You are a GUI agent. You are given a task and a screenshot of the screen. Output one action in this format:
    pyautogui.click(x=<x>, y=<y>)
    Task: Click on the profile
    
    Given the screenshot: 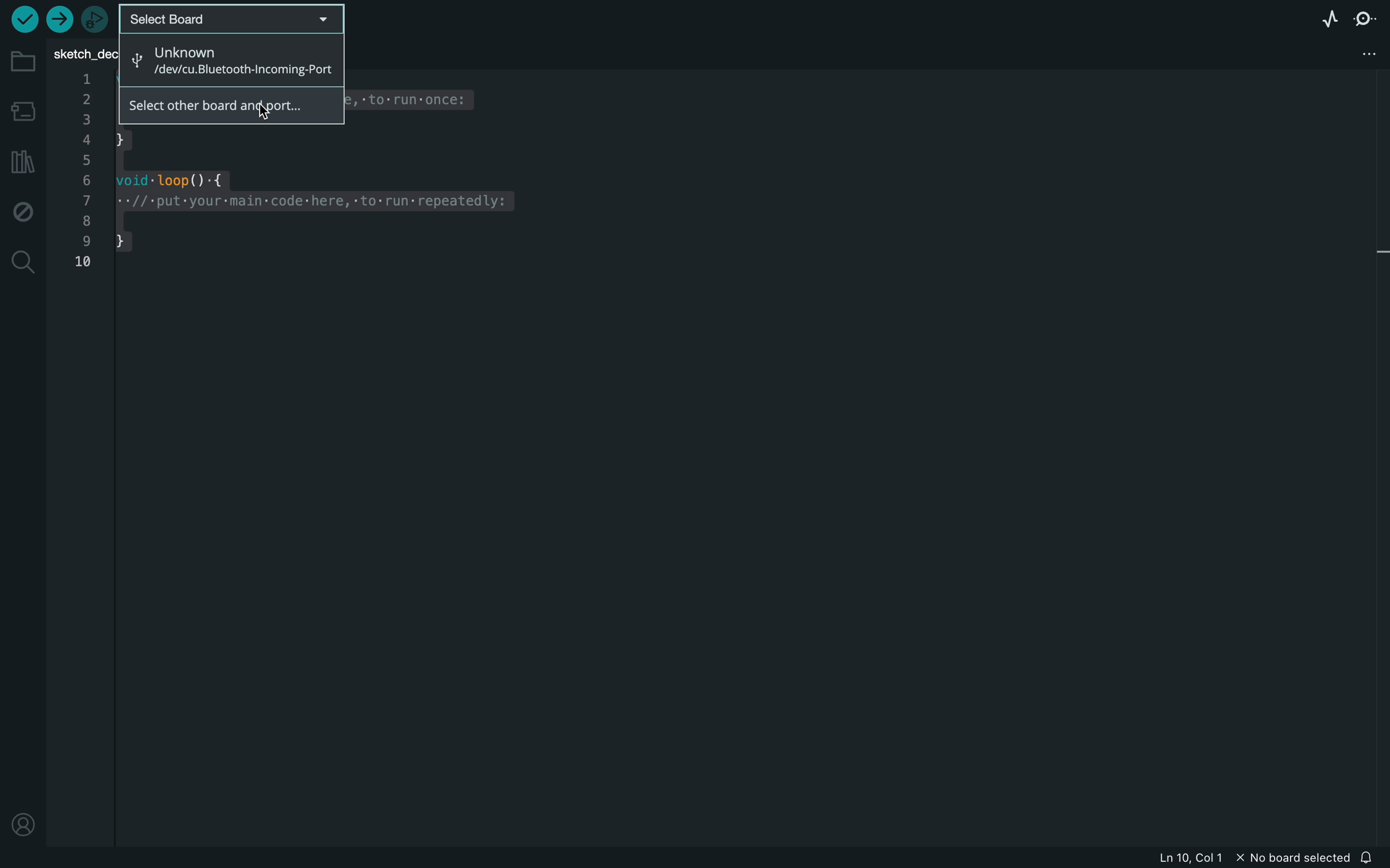 What is the action you would take?
    pyautogui.click(x=22, y=827)
    